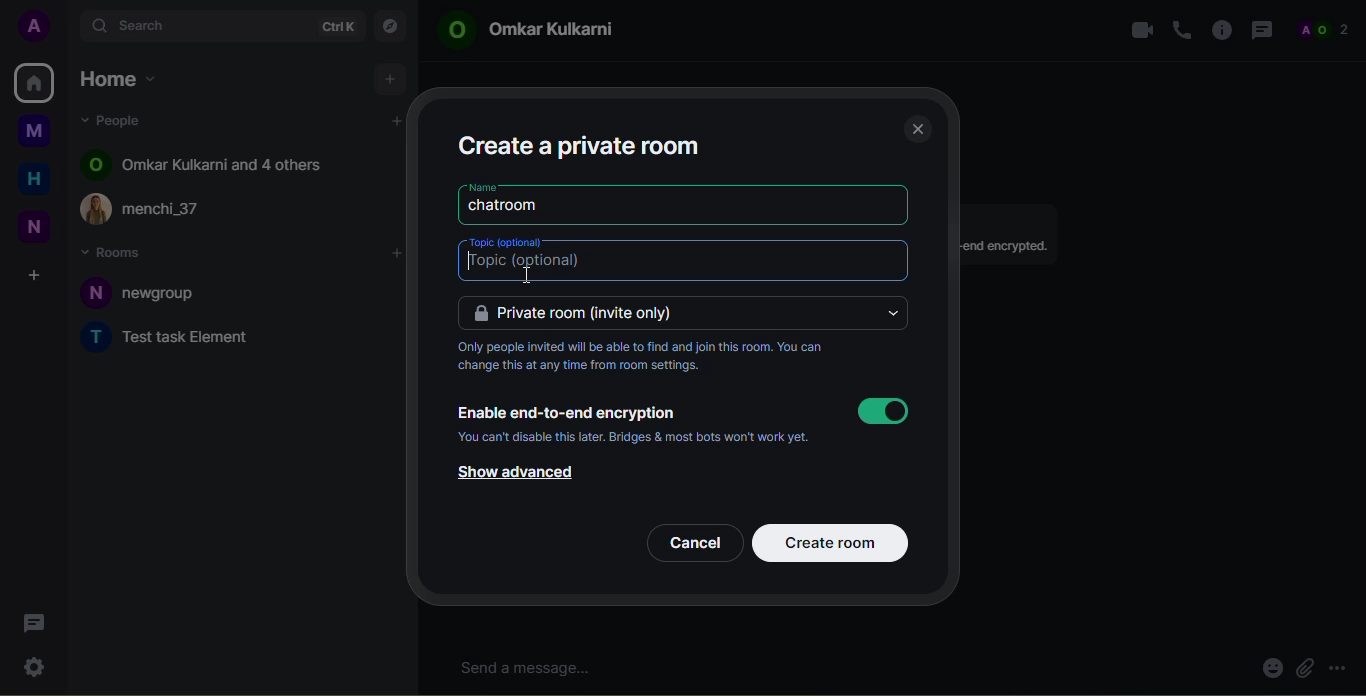 The width and height of the screenshot is (1366, 696). What do you see at coordinates (882, 411) in the screenshot?
I see `enabled` at bounding box center [882, 411].